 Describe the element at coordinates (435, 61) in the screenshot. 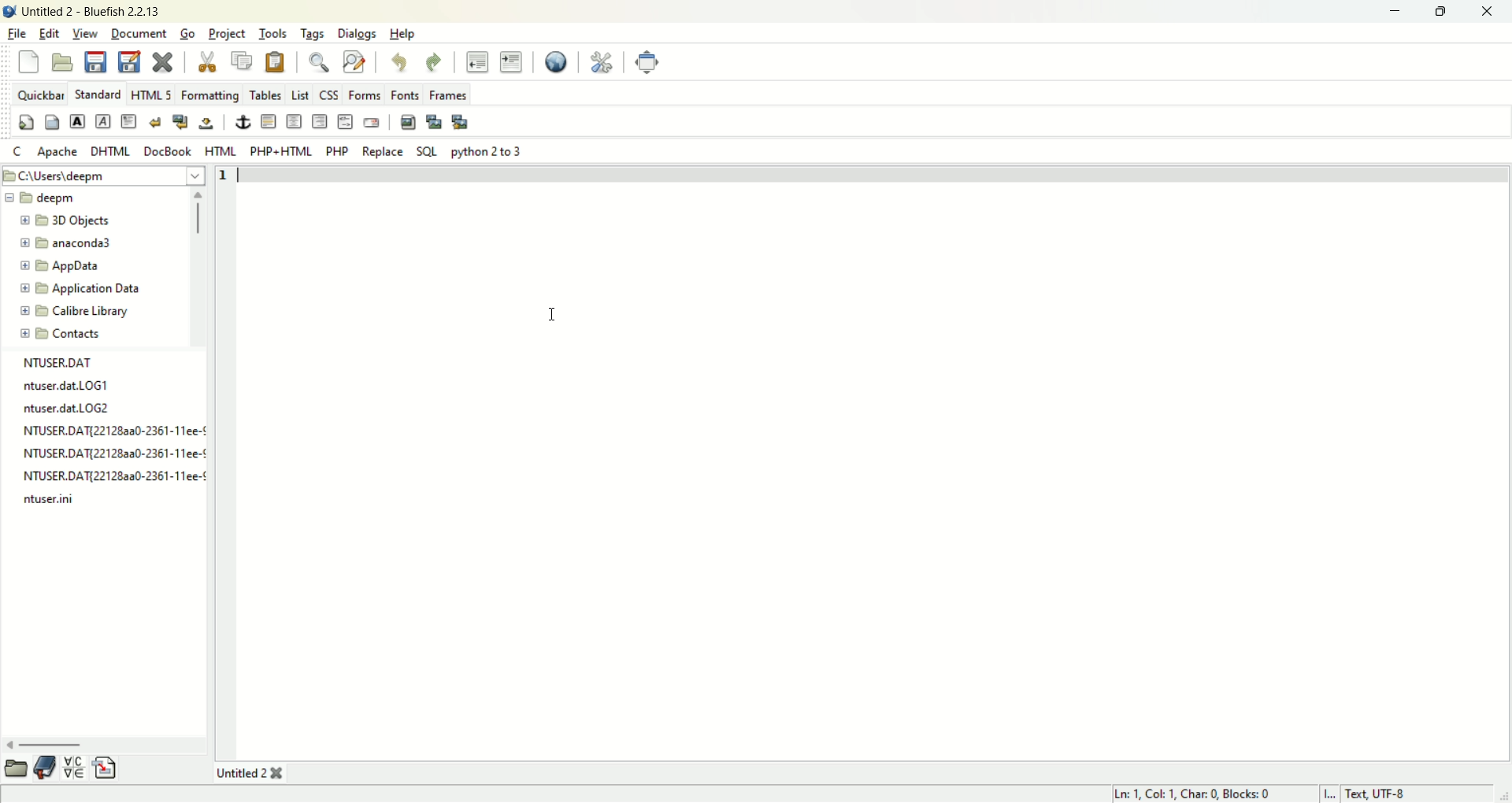

I see `redo` at that location.